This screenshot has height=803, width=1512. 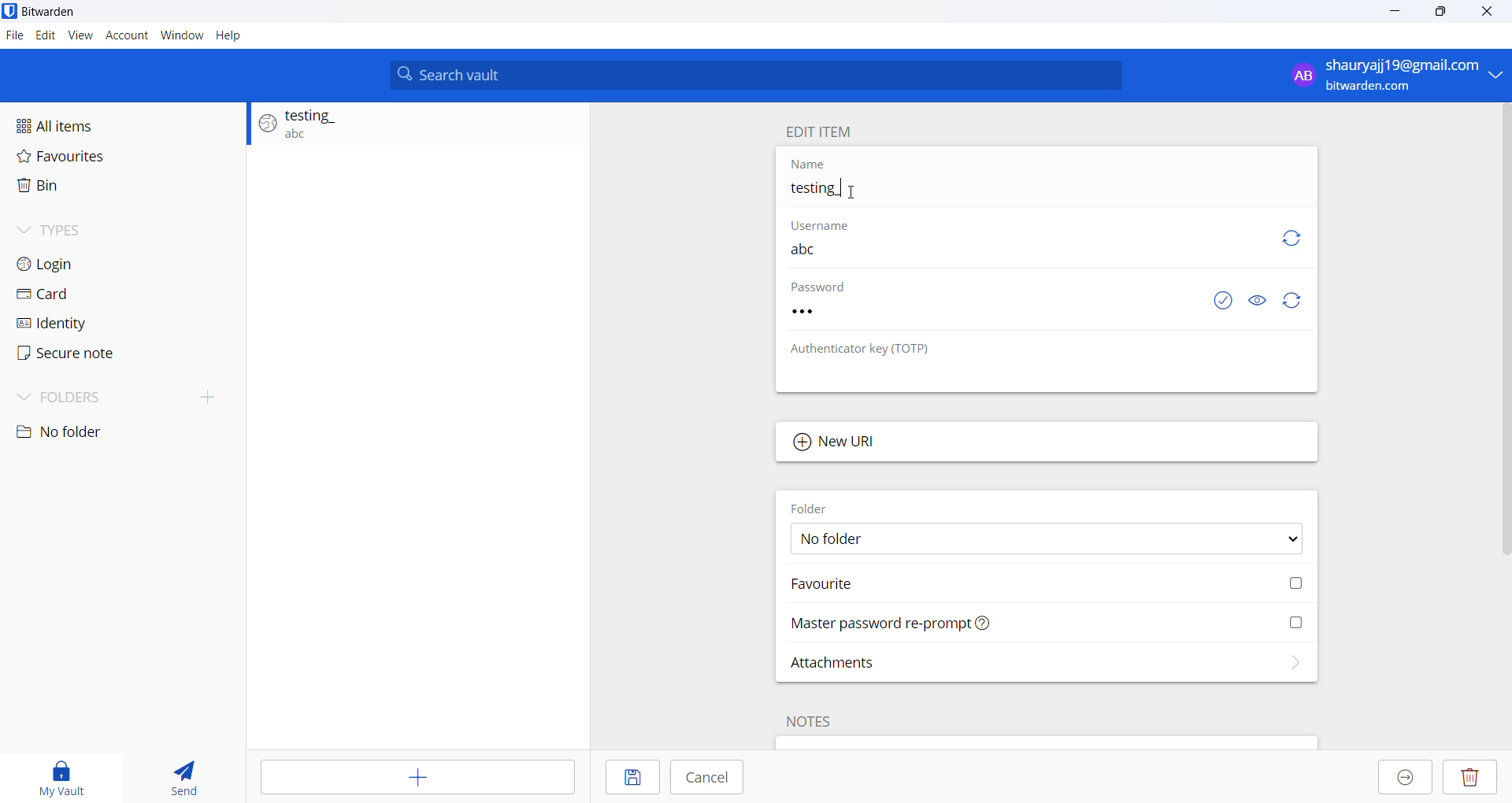 What do you see at coordinates (45, 36) in the screenshot?
I see `Edit` at bounding box center [45, 36].